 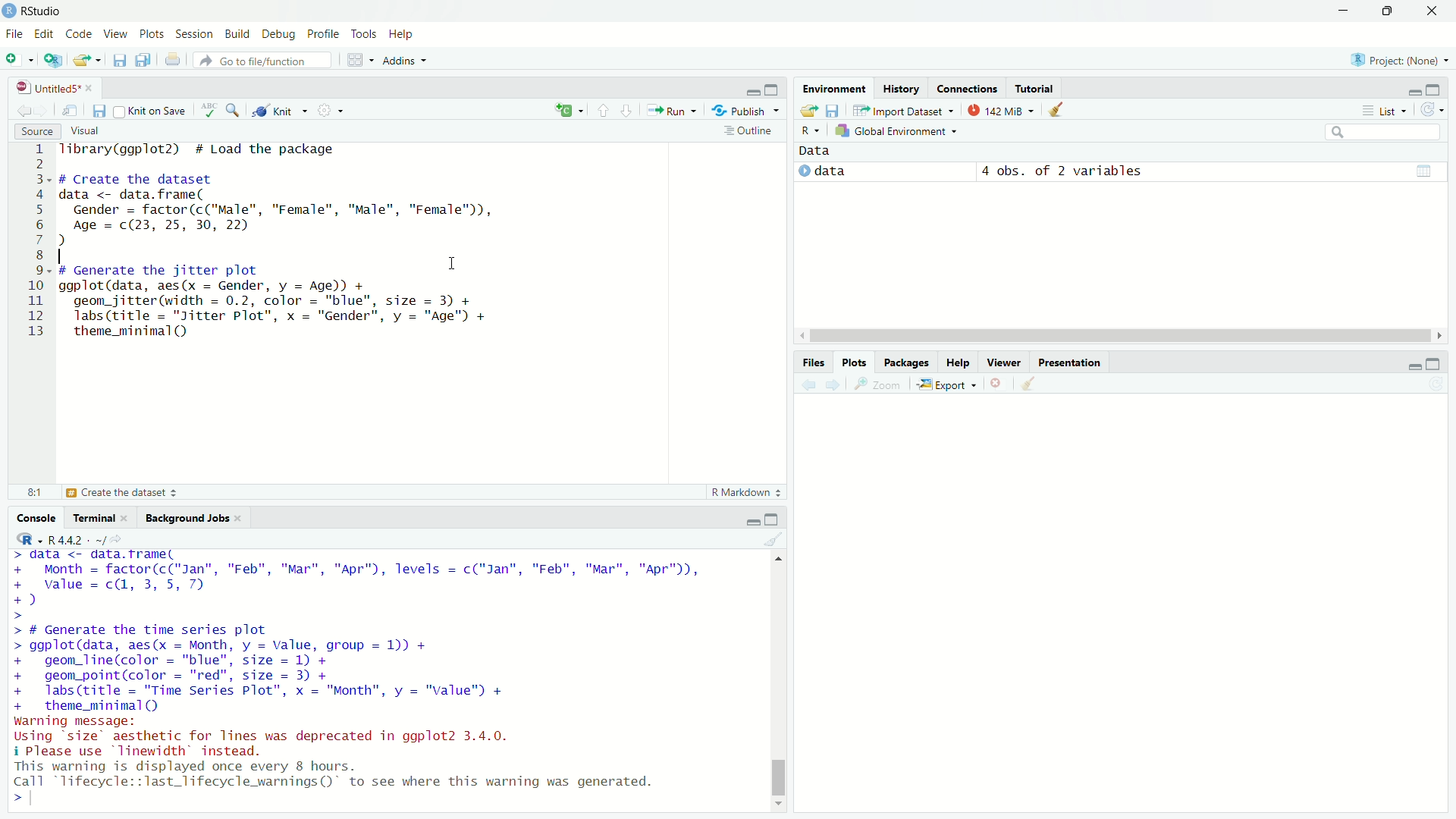 I want to click on files, so click(x=814, y=361).